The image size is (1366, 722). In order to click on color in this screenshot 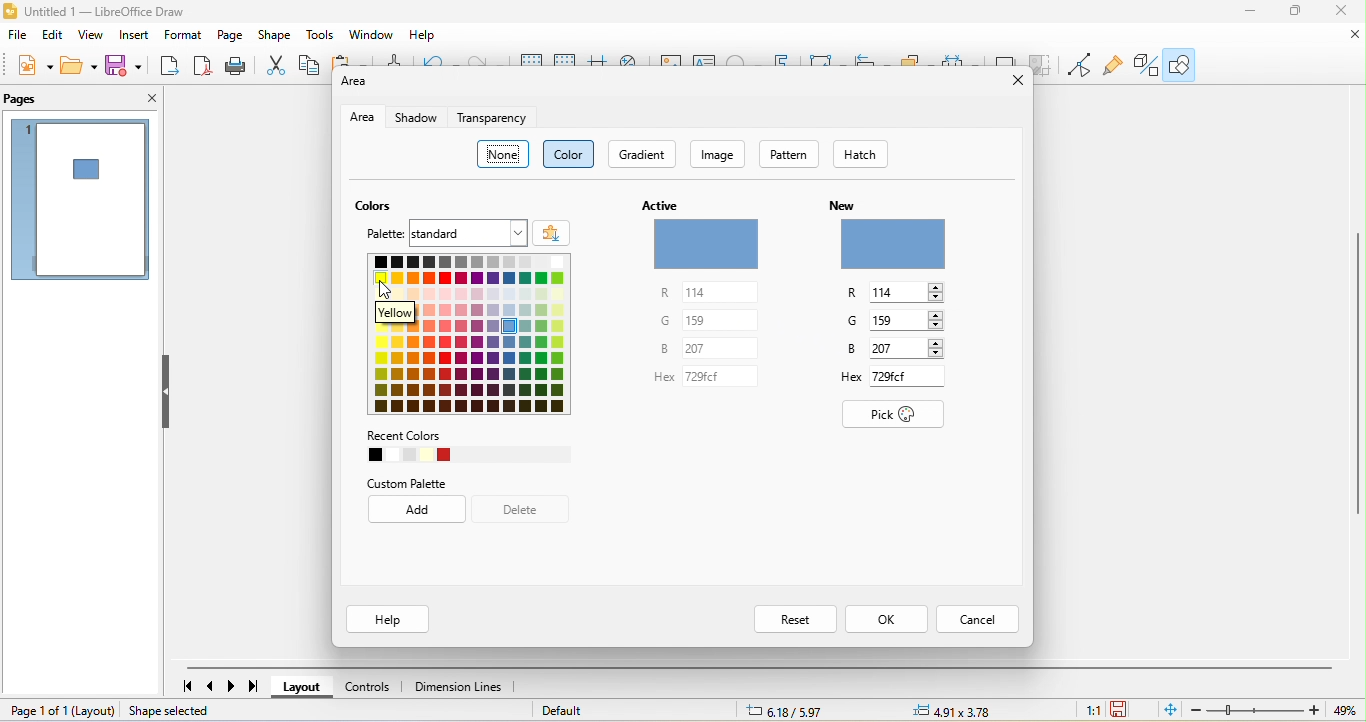, I will do `click(573, 154)`.